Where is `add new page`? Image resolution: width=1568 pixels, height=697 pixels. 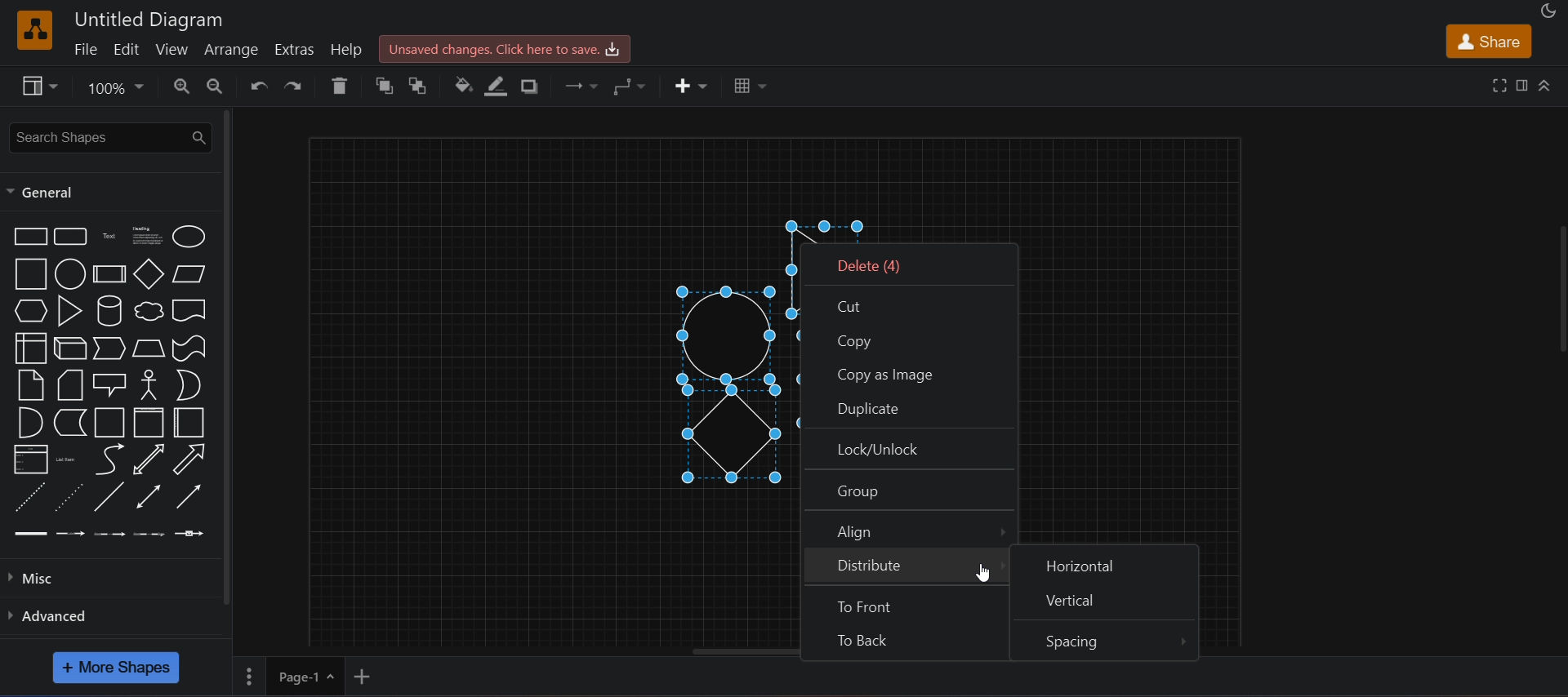
add new page is located at coordinates (374, 675).